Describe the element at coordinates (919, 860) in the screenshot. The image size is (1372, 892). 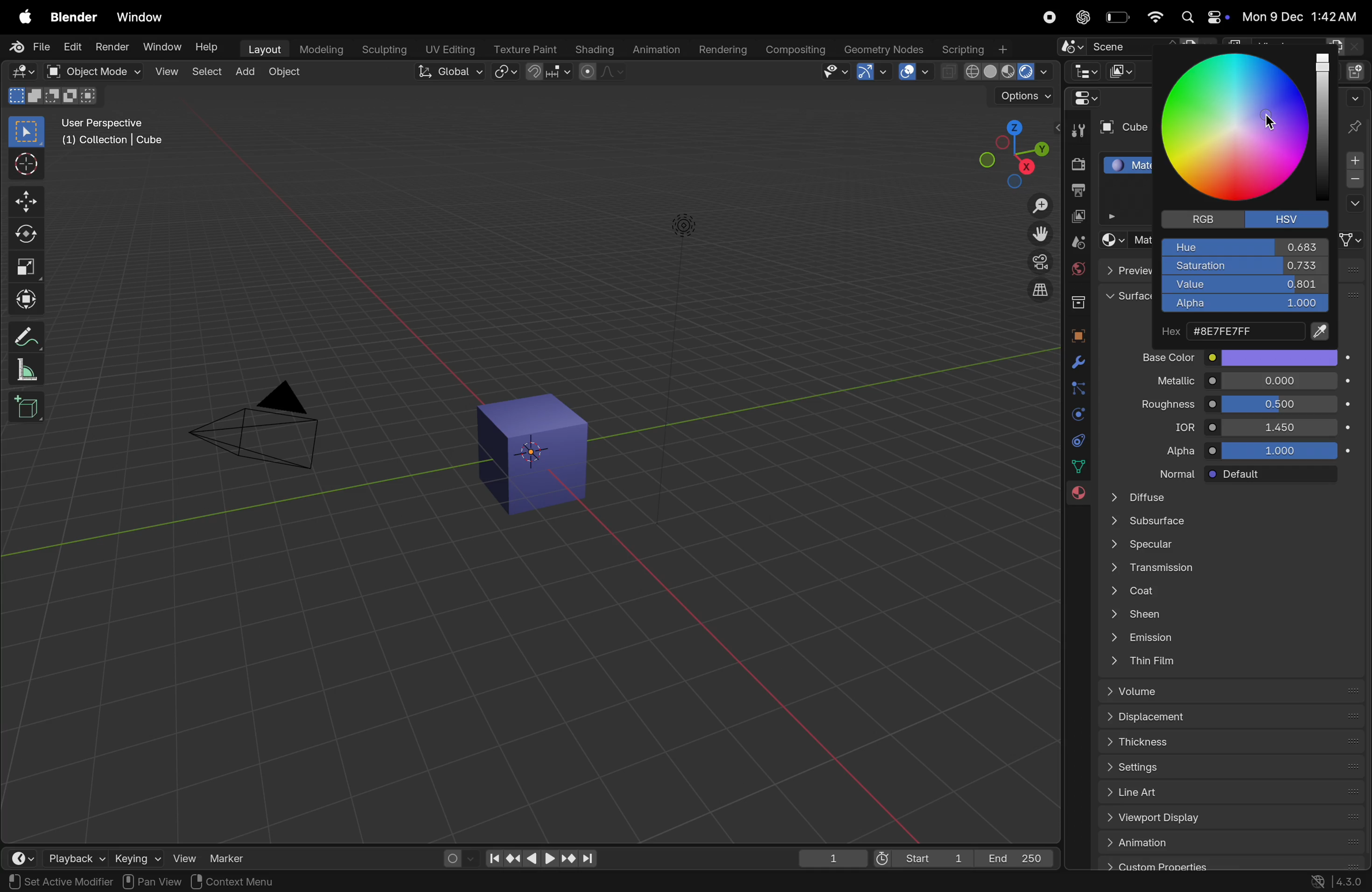
I see `Start1` at that location.